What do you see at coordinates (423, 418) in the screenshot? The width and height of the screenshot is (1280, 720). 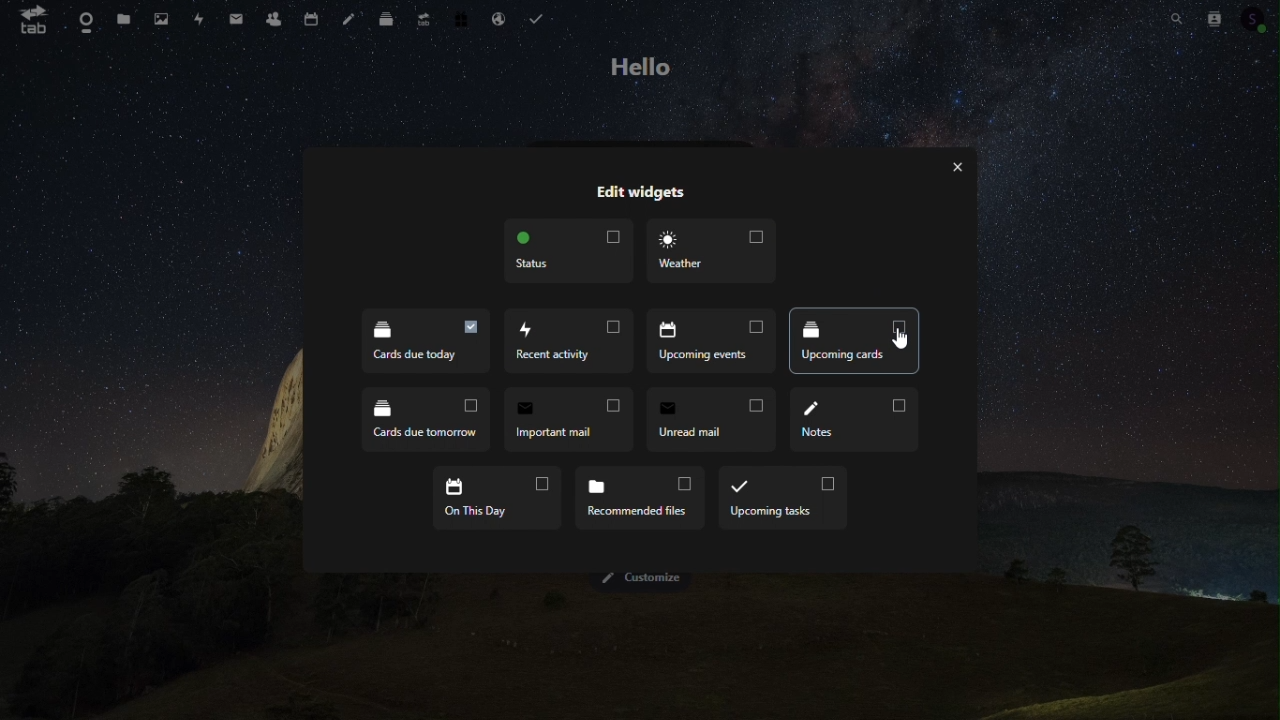 I see `Cards due tomorrow` at bounding box center [423, 418].